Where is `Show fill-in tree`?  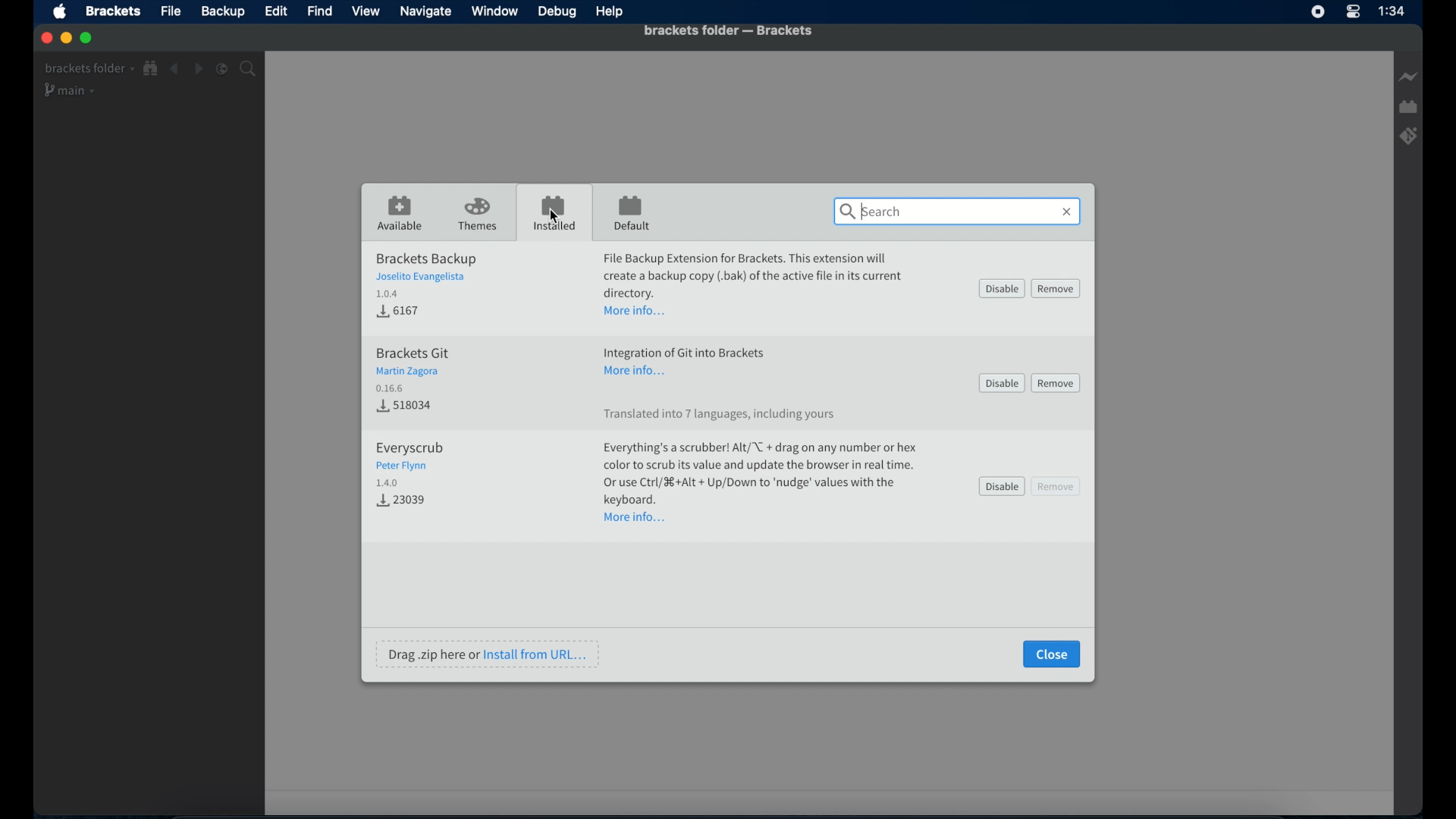
Show fill-in tree is located at coordinates (151, 68).